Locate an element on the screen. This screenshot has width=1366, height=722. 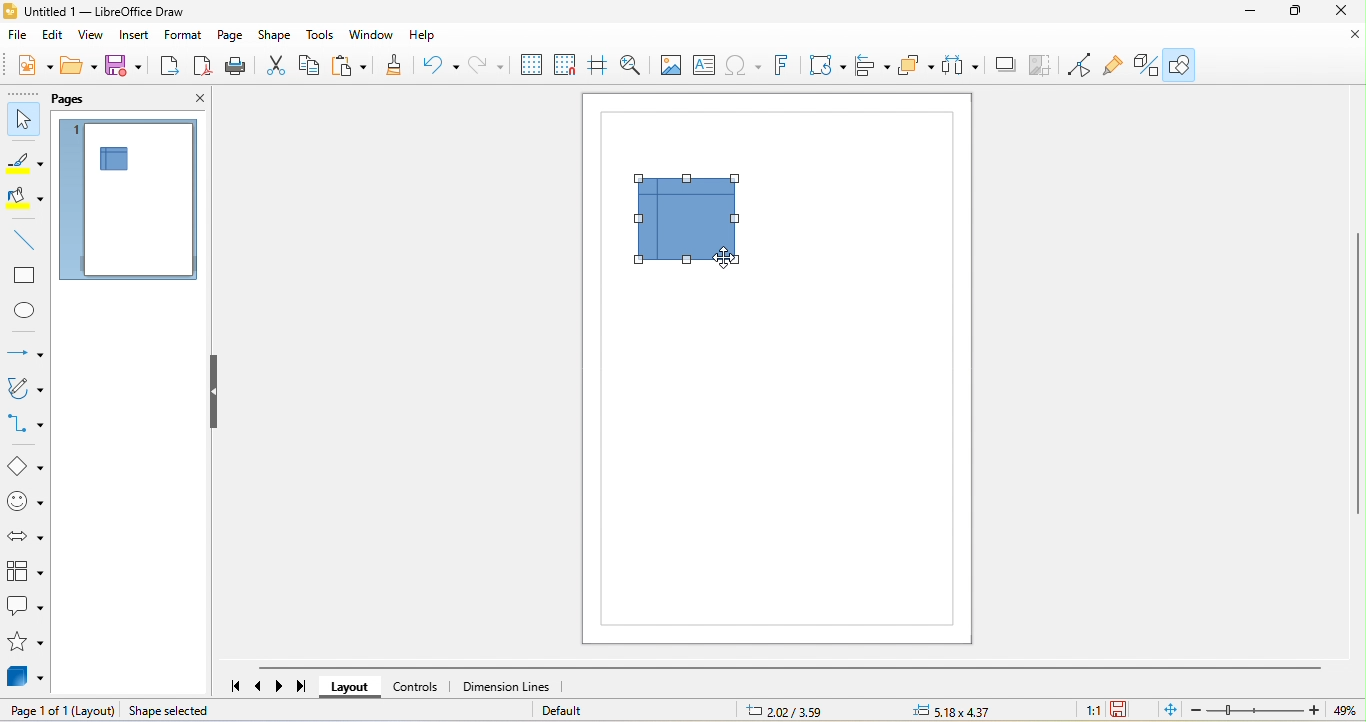
curve and polygons is located at coordinates (24, 390).